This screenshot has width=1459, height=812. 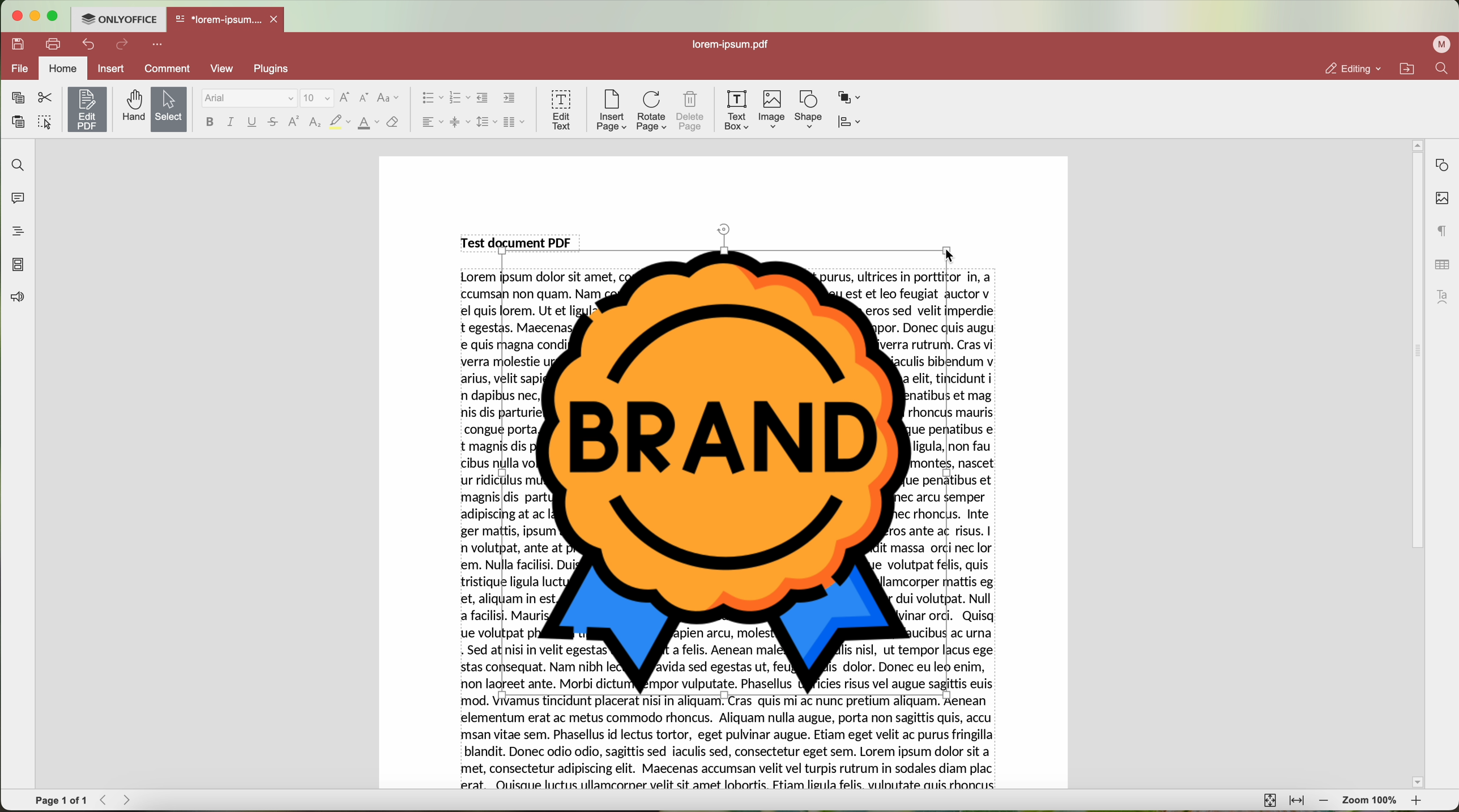 I want to click on highlight color, so click(x=339, y=123).